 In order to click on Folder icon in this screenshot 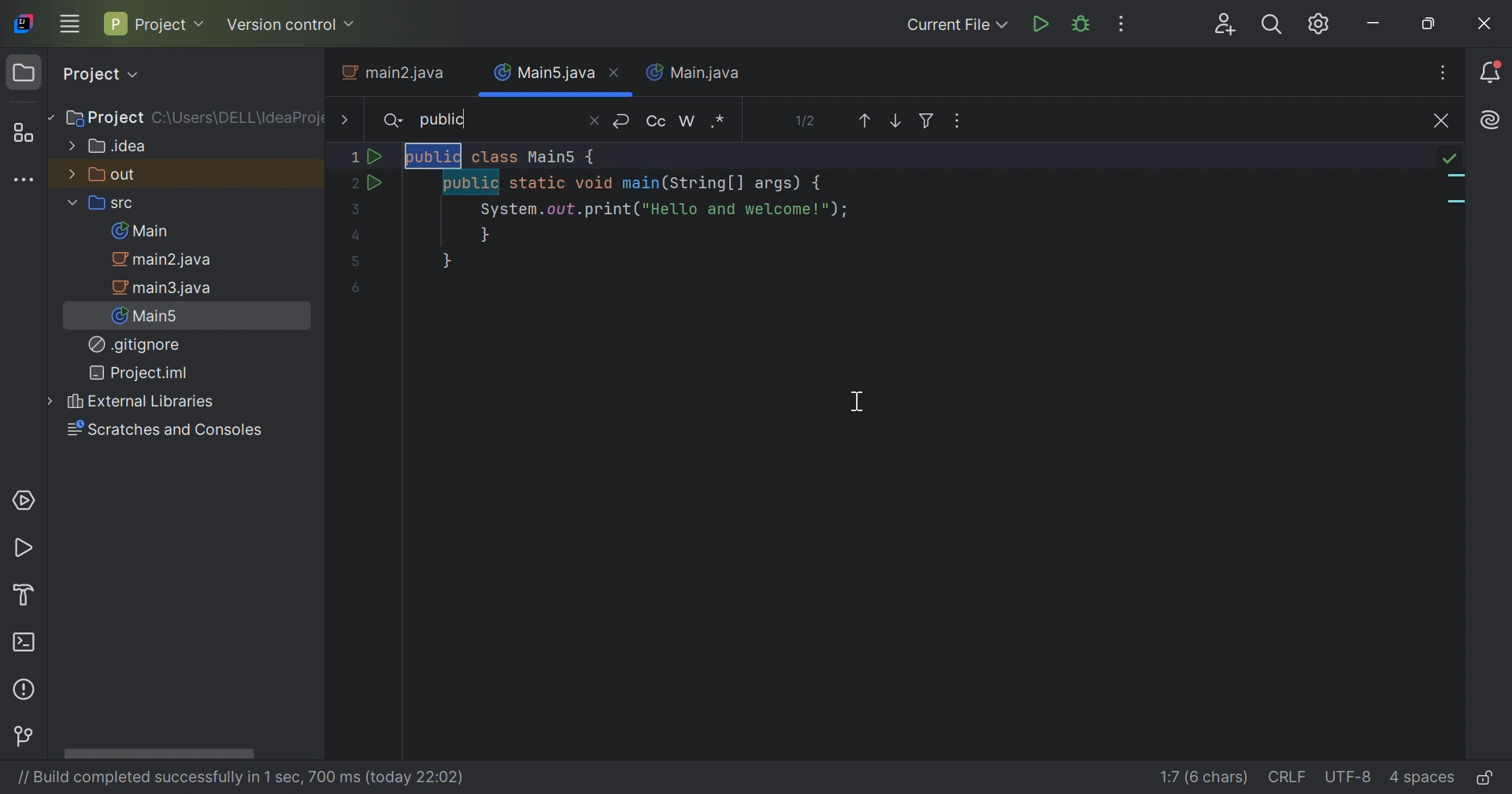, I will do `click(23, 72)`.